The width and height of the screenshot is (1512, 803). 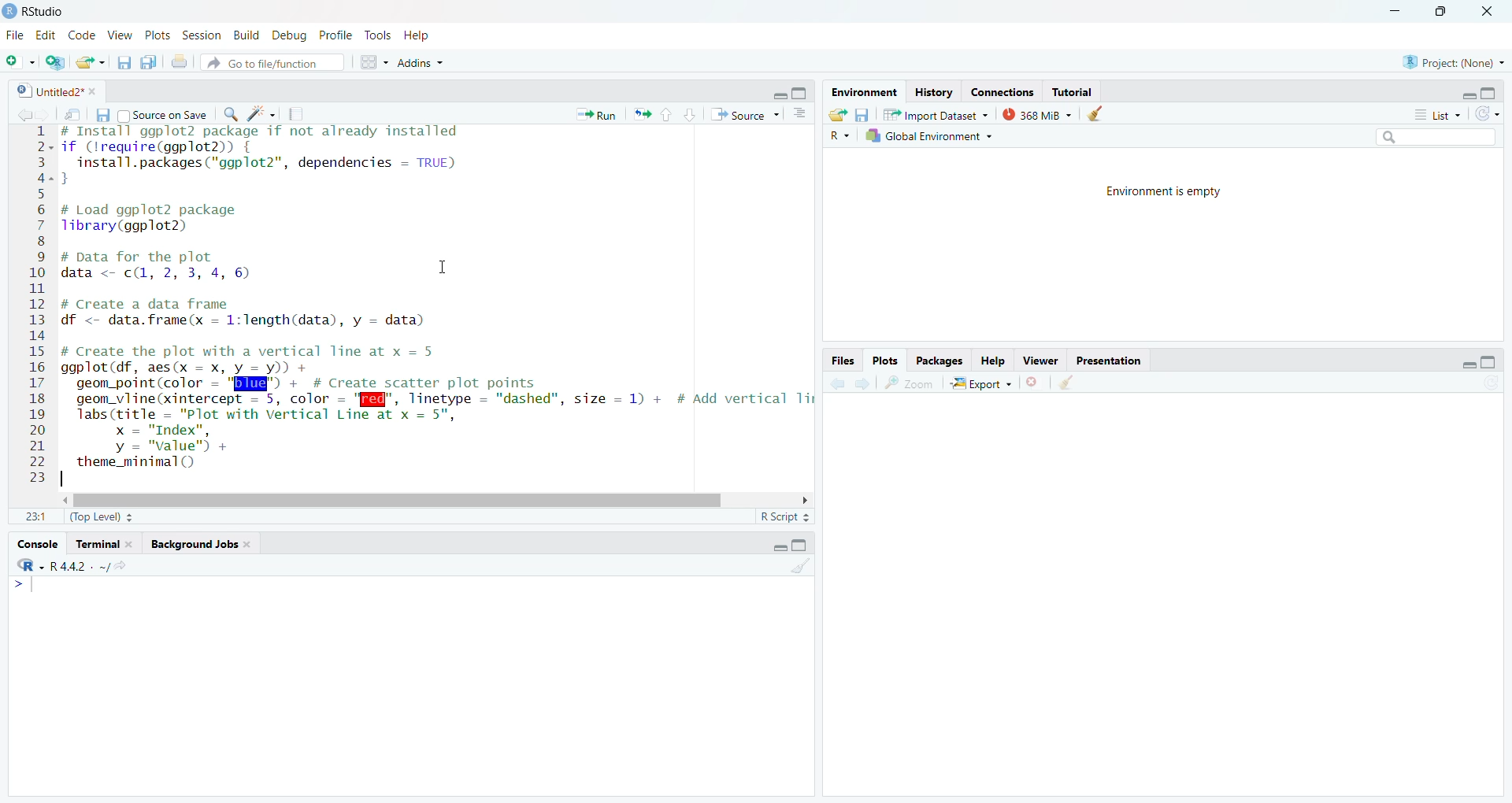 I want to click on notes, so click(x=301, y=115).